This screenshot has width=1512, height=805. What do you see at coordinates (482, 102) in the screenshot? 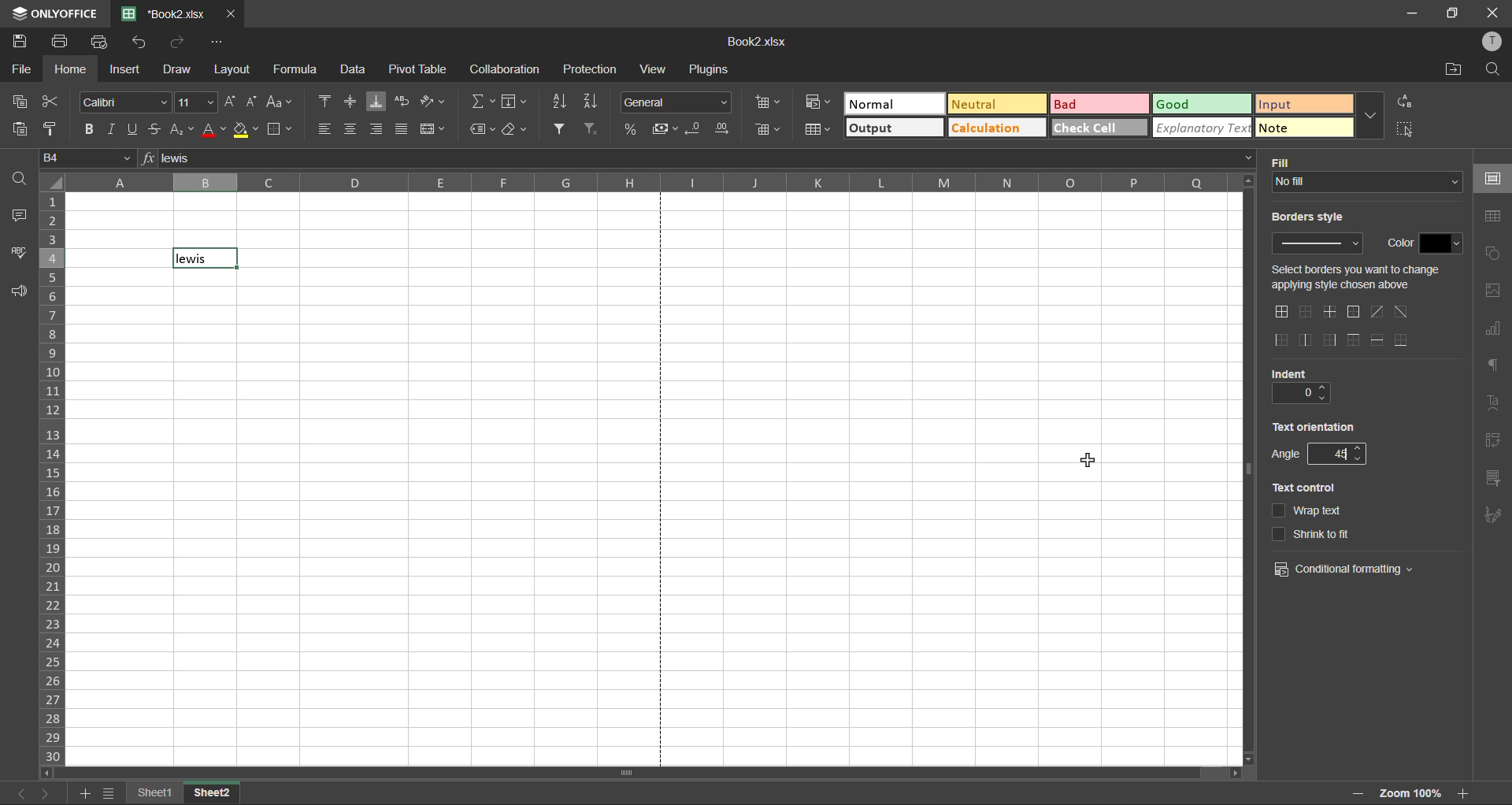
I see `summation` at bounding box center [482, 102].